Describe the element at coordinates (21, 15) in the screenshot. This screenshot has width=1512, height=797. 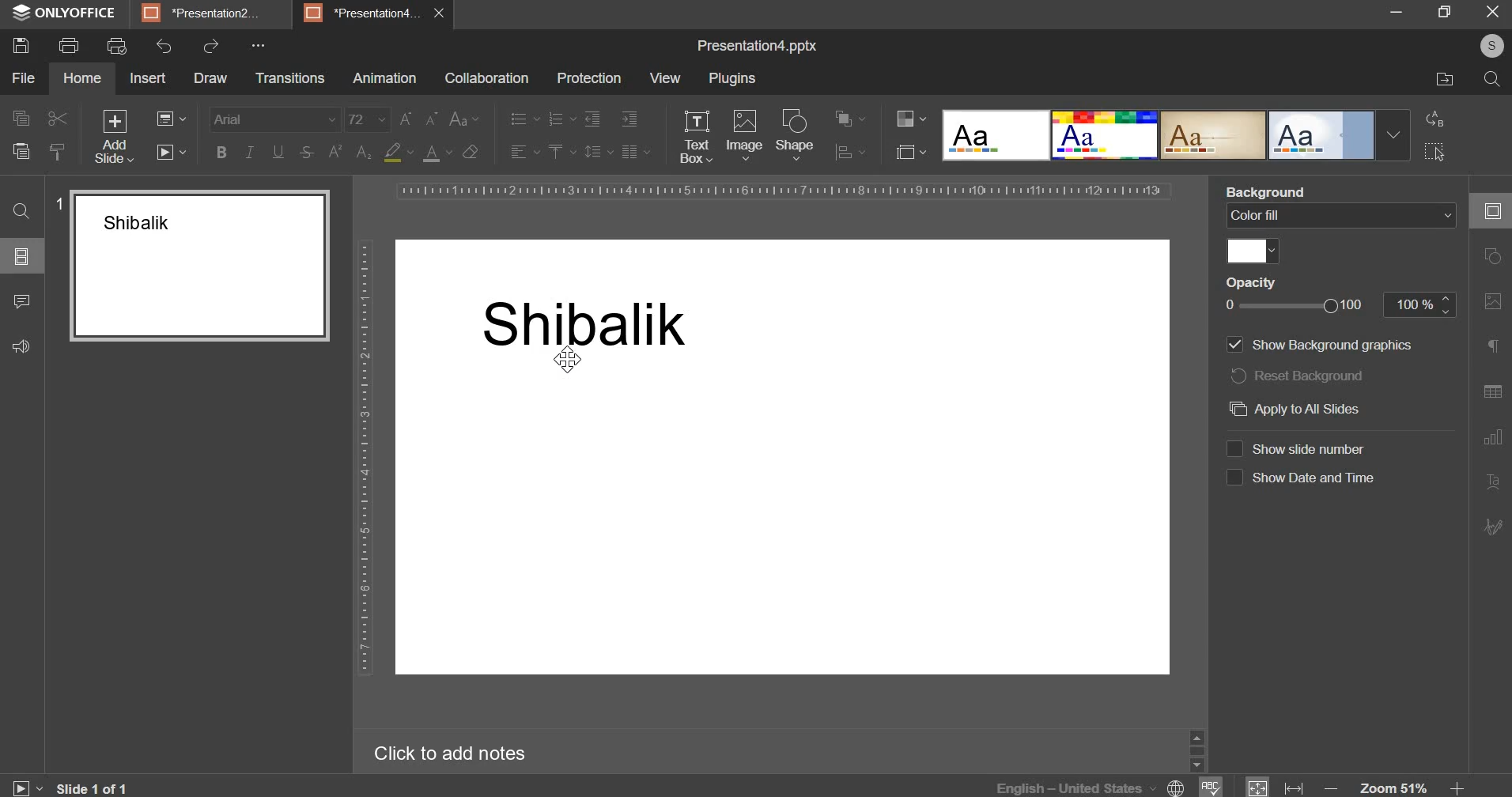
I see `onlyoffice logo` at that location.